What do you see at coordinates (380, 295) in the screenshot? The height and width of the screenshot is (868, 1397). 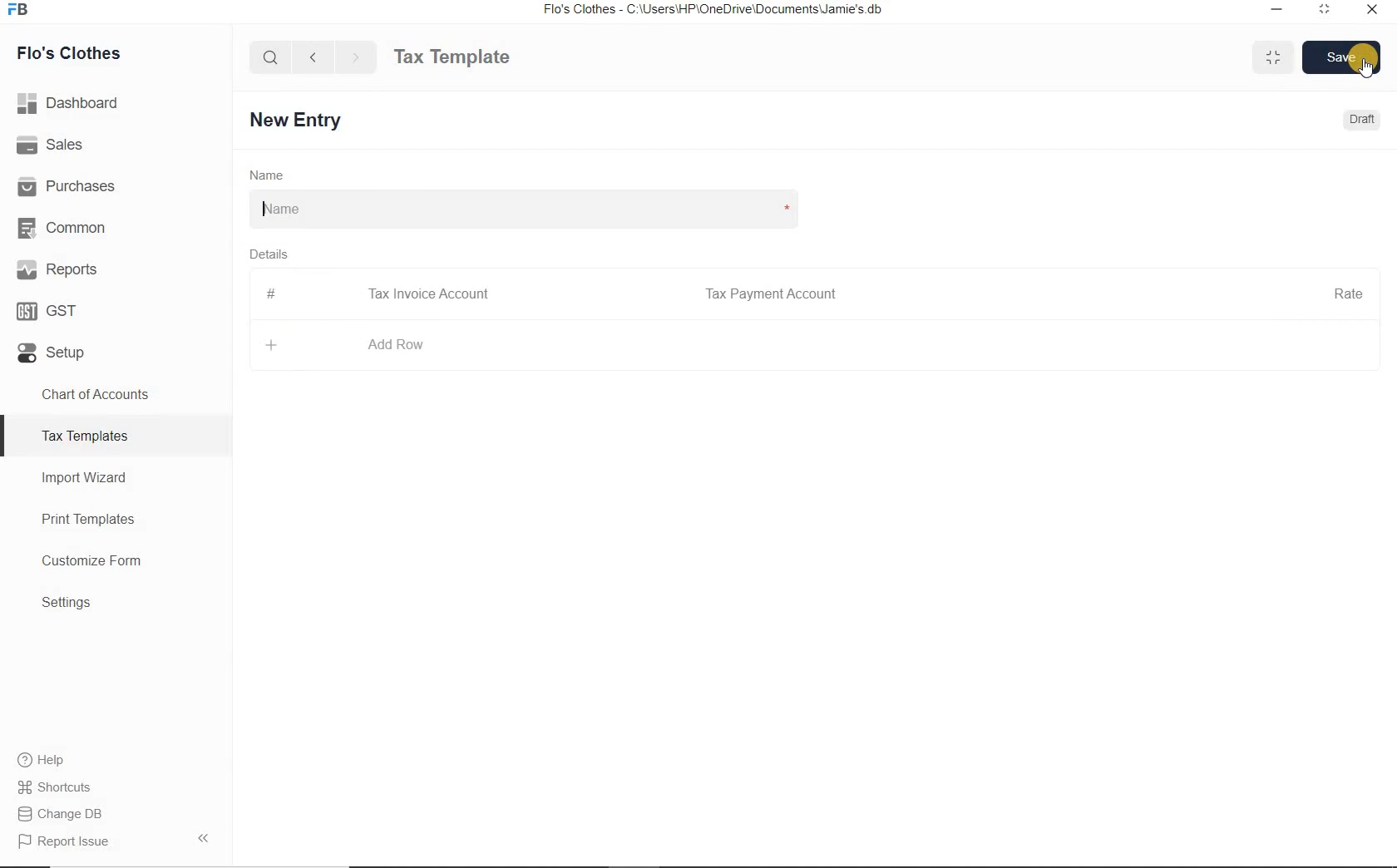 I see `# Tax Invoice Account` at bounding box center [380, 295].